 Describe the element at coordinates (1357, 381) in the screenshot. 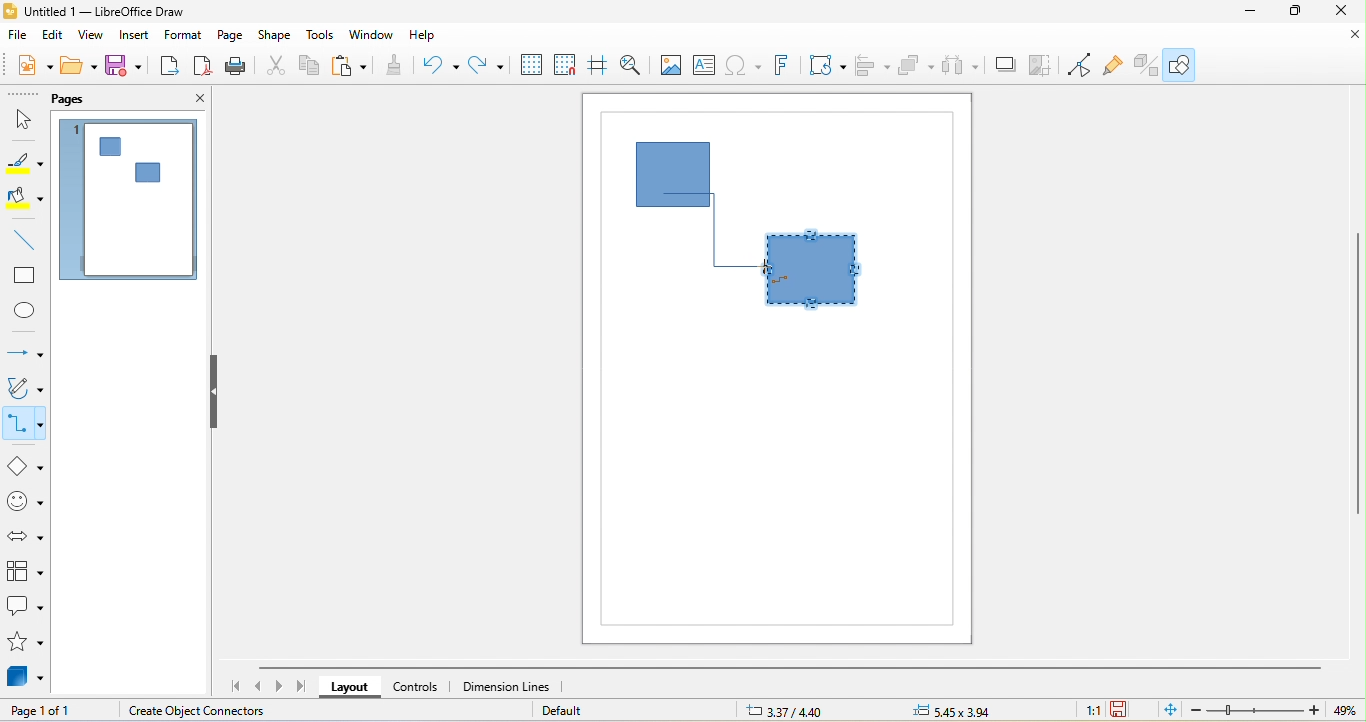

I see `vertical scroll bar` at that location.